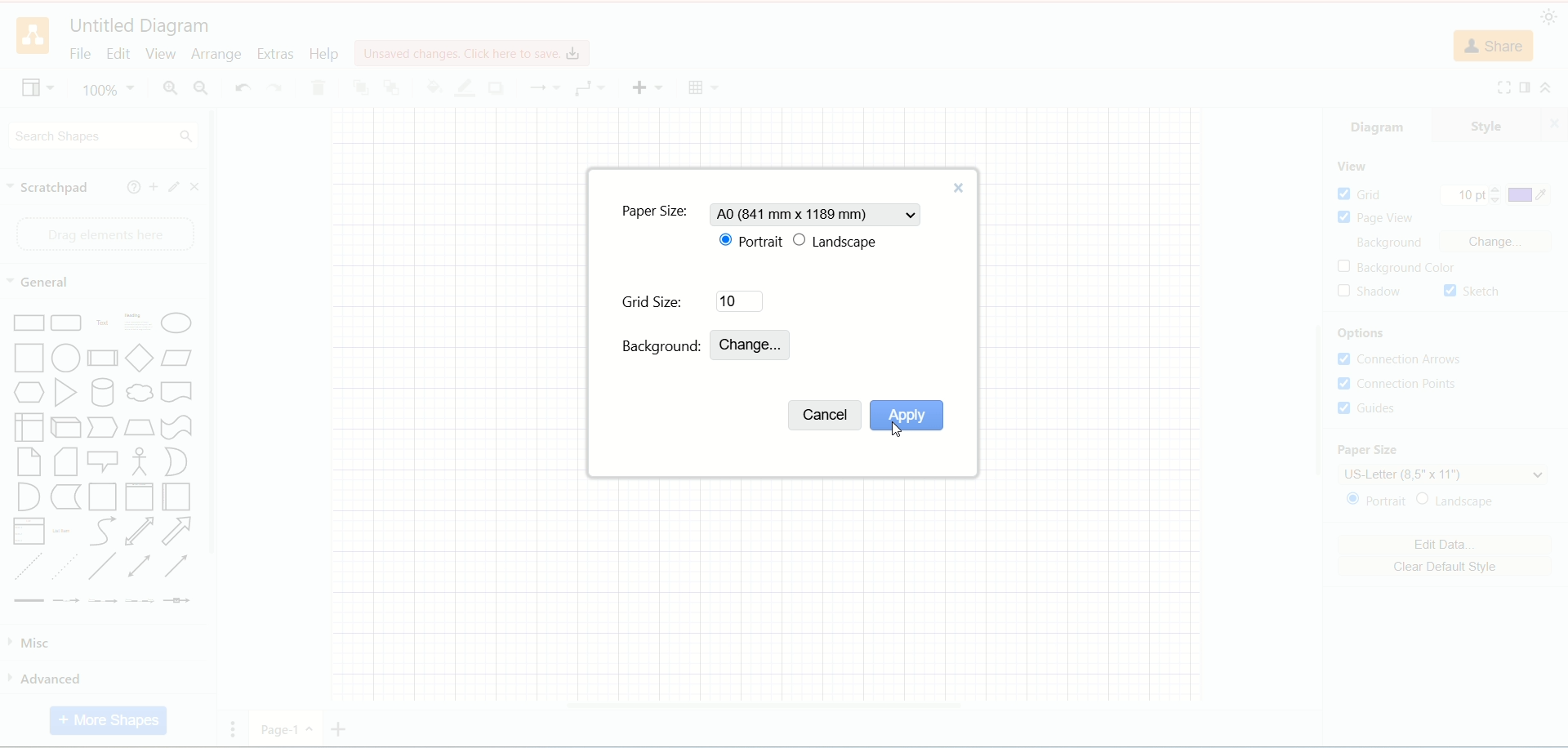  I want to click on fill color, so click(430, 86).